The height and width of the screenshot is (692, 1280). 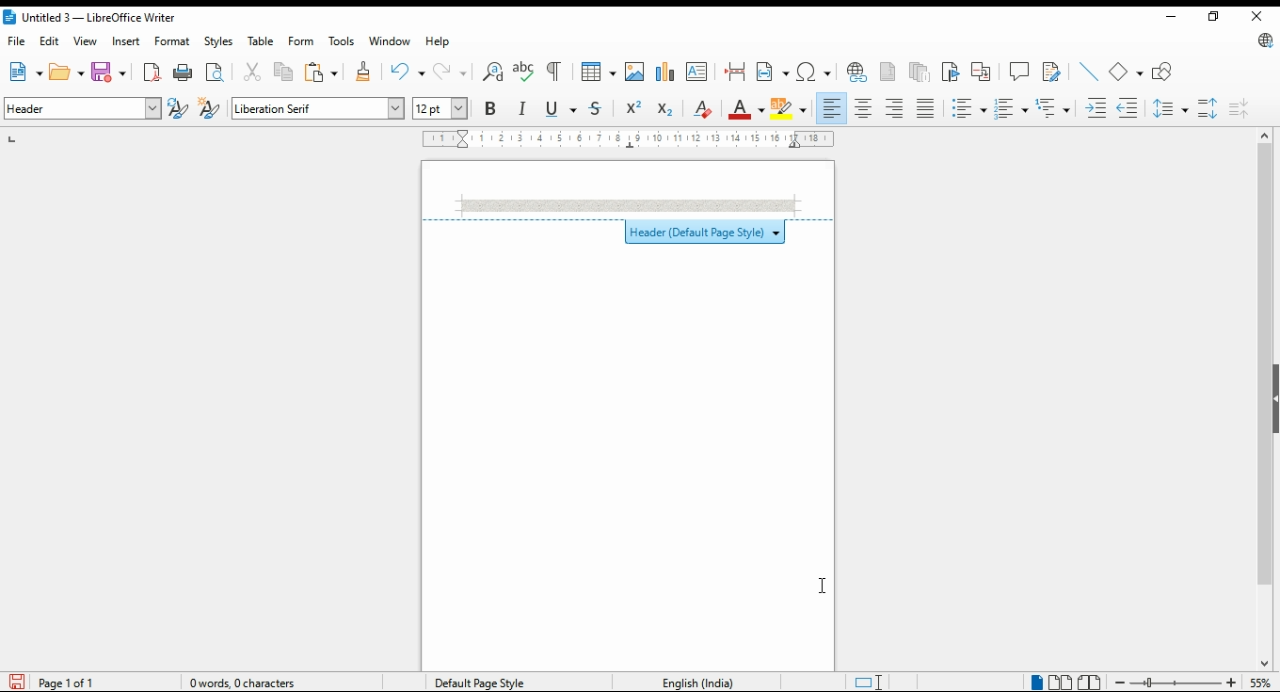 What do you see at coordinates (1127, 72) in the screenshot?
I see `basic shape` at bounding box center [1127, 72].